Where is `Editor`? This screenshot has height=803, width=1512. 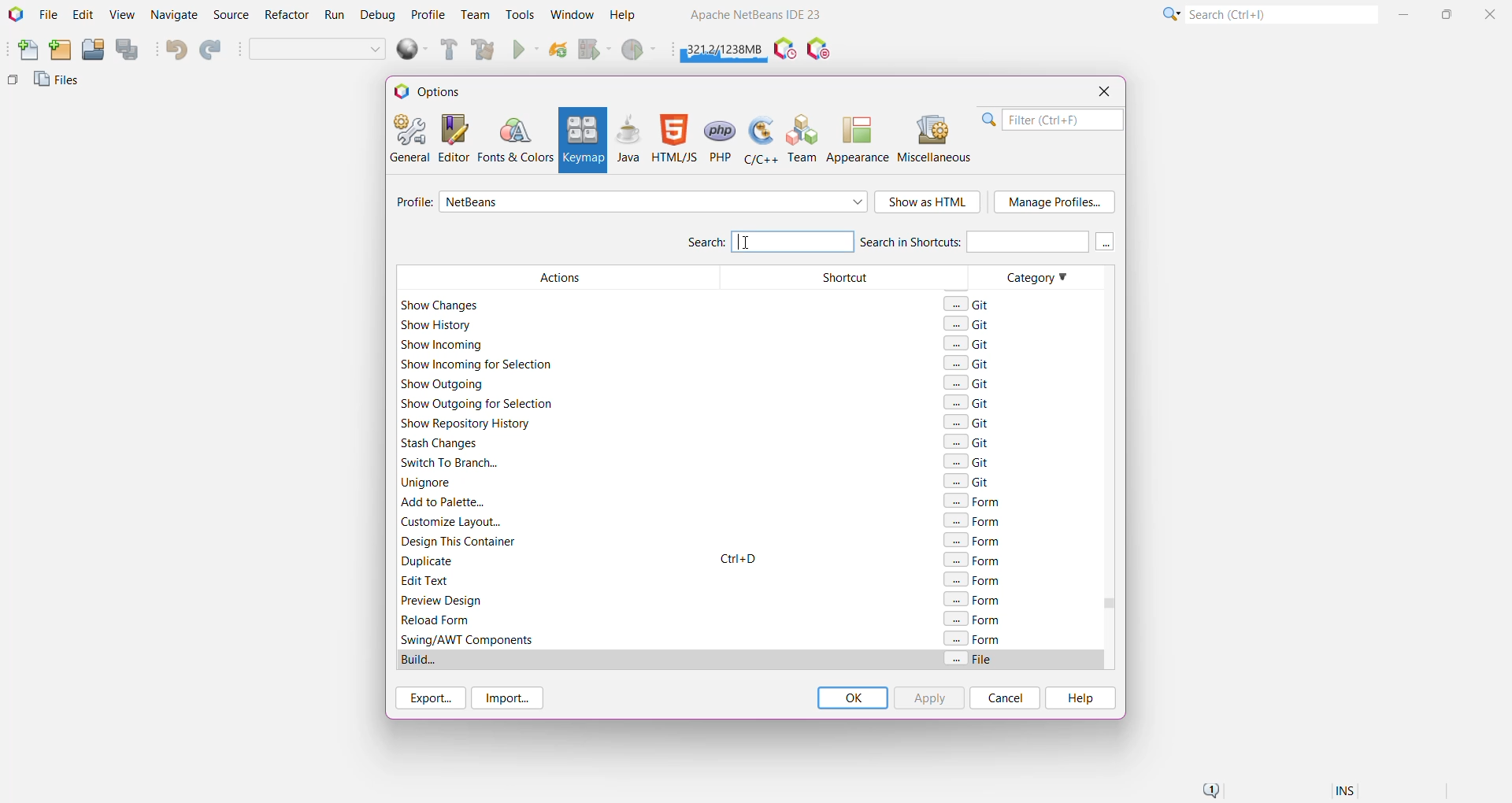
Editor is located at coordinates (450, 138).